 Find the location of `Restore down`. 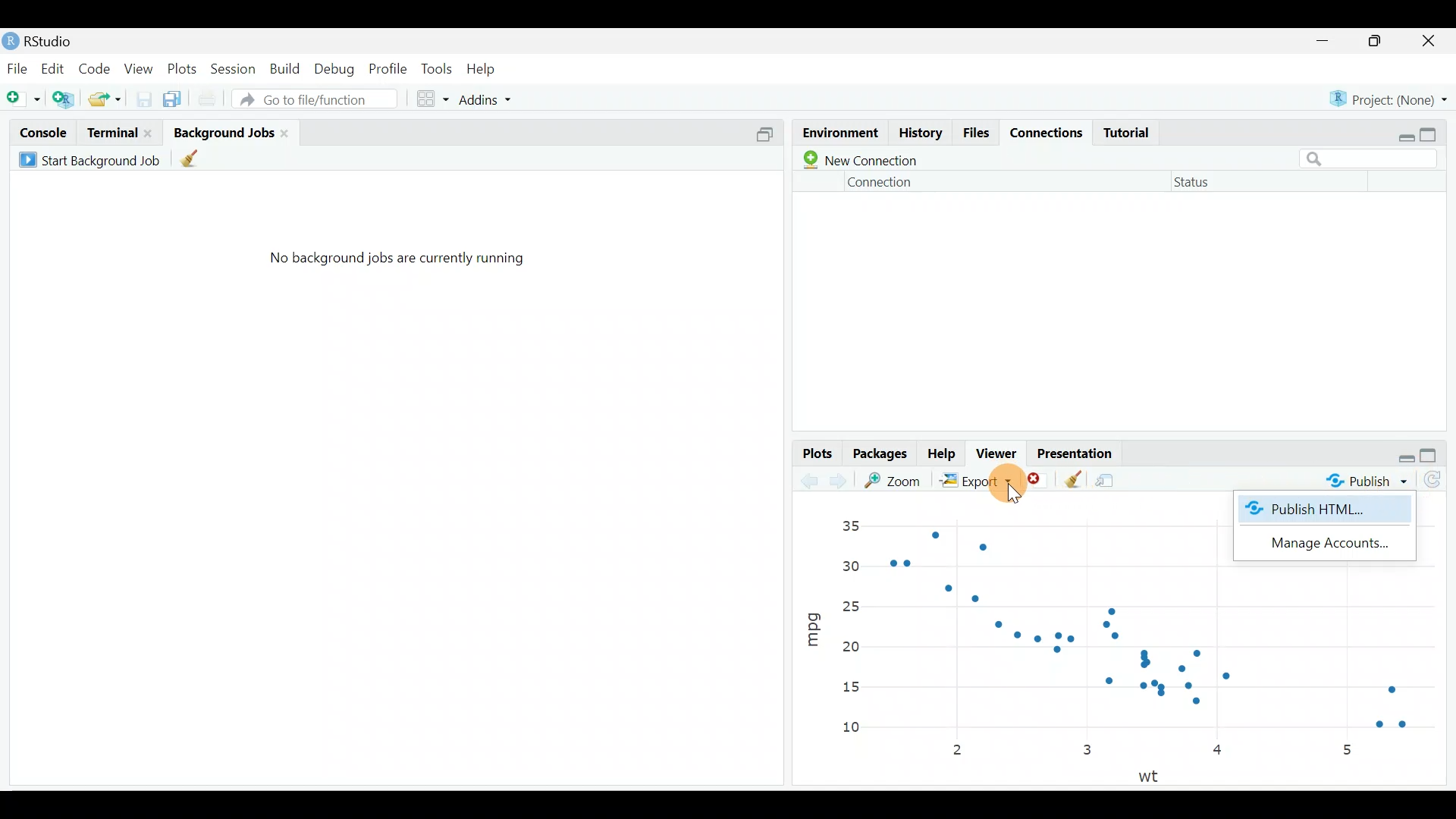

Restore down is located at coordinates (1402, 134).